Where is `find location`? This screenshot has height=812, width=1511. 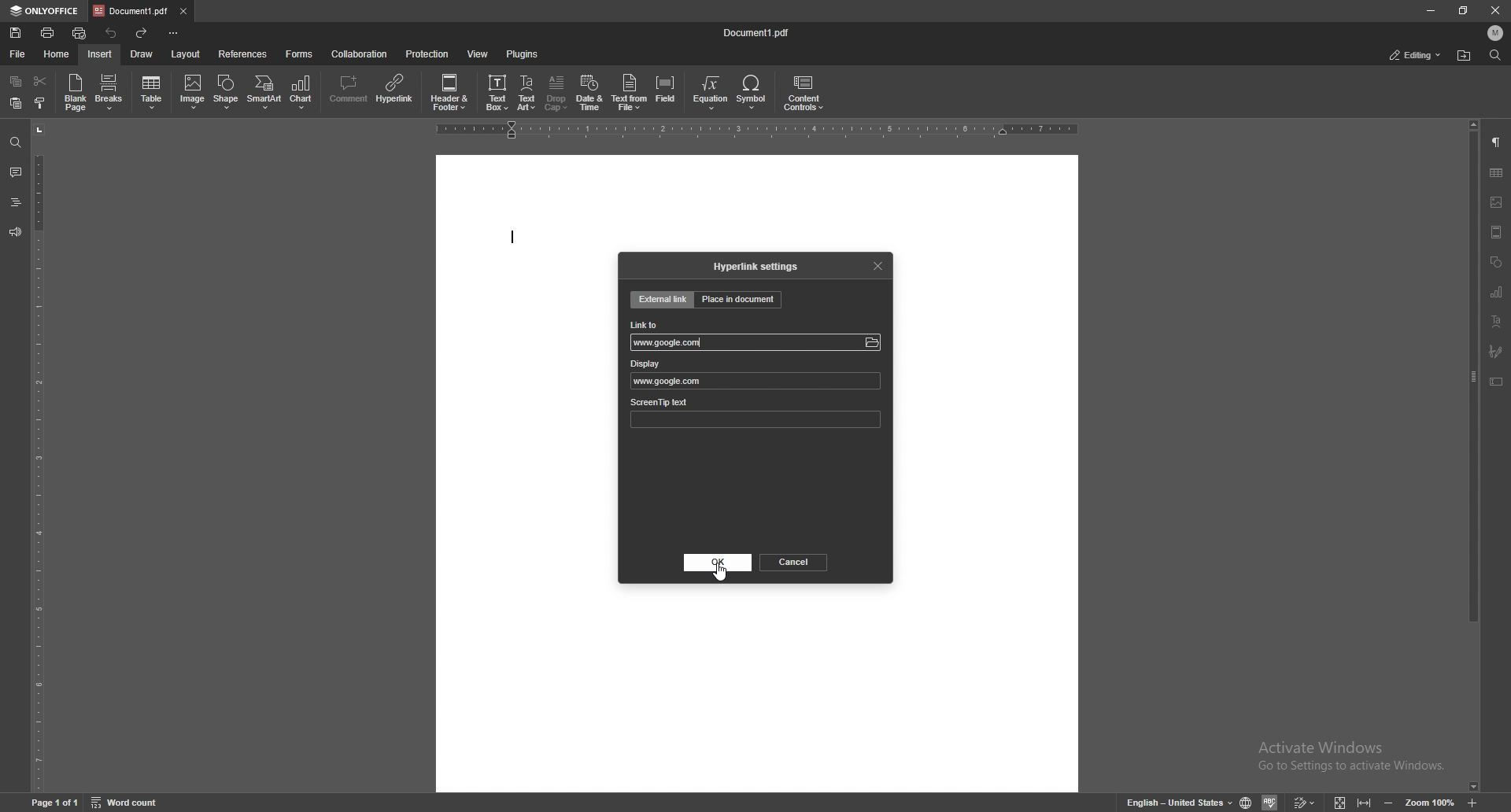
find location is located at coordinates (1464, 56).